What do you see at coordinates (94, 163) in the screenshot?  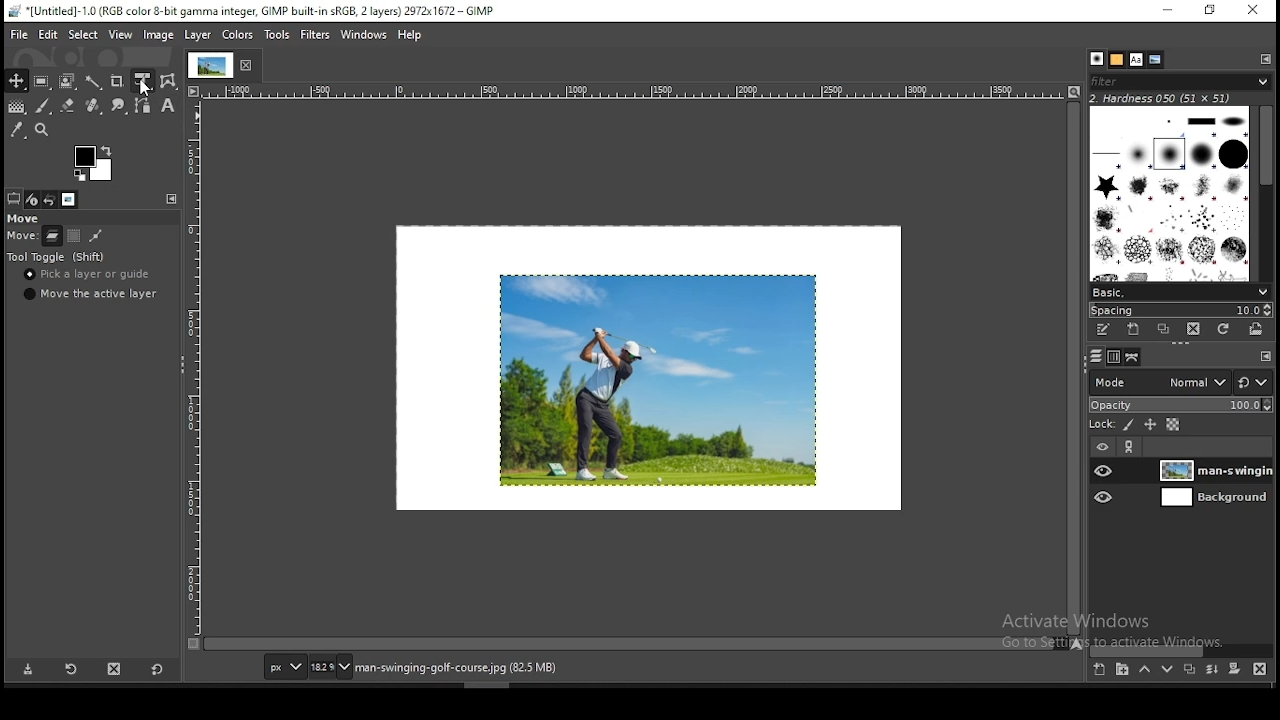 I see `colors` at bounding box center [94, 163].